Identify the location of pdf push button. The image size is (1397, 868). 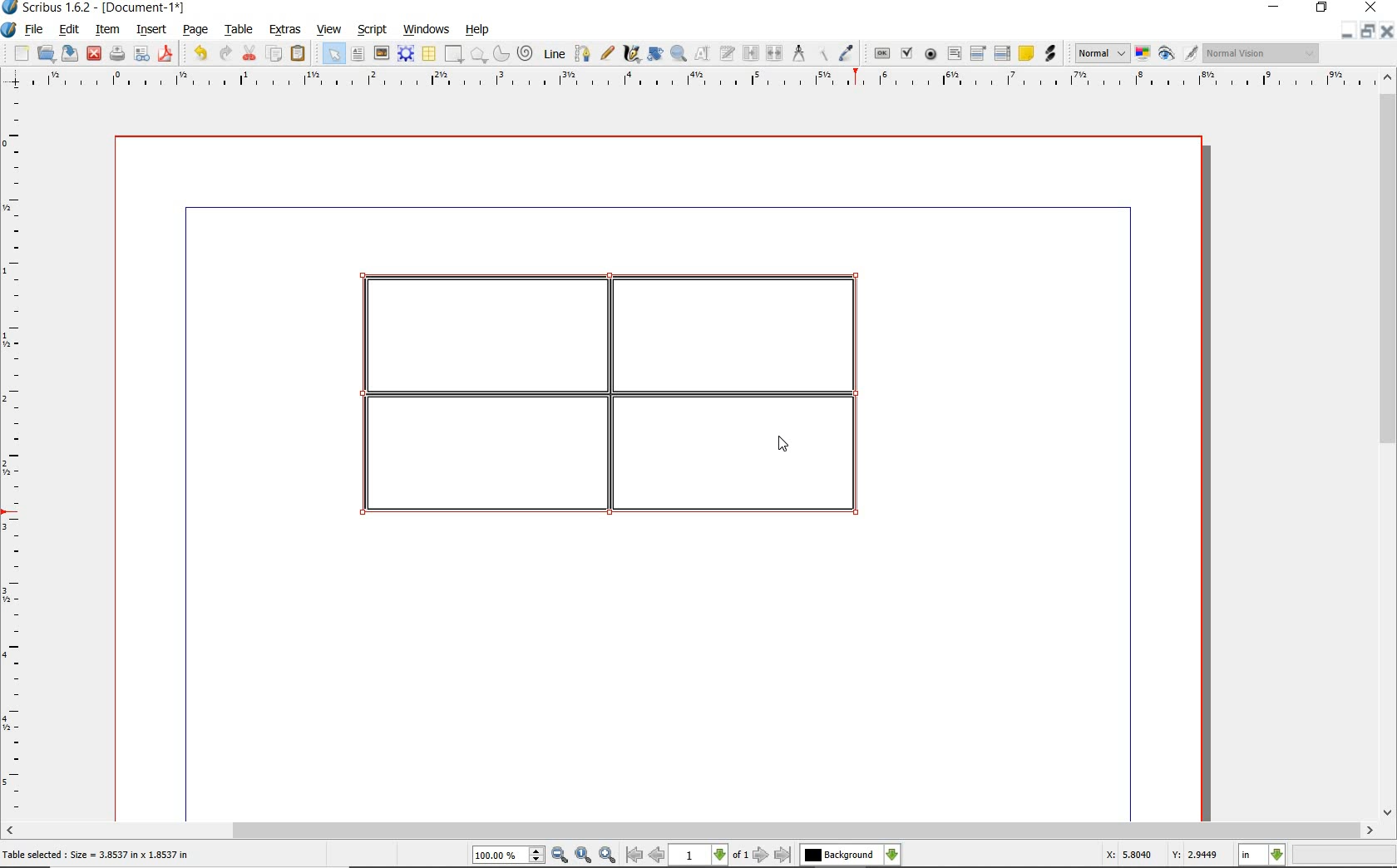
(882, 52).